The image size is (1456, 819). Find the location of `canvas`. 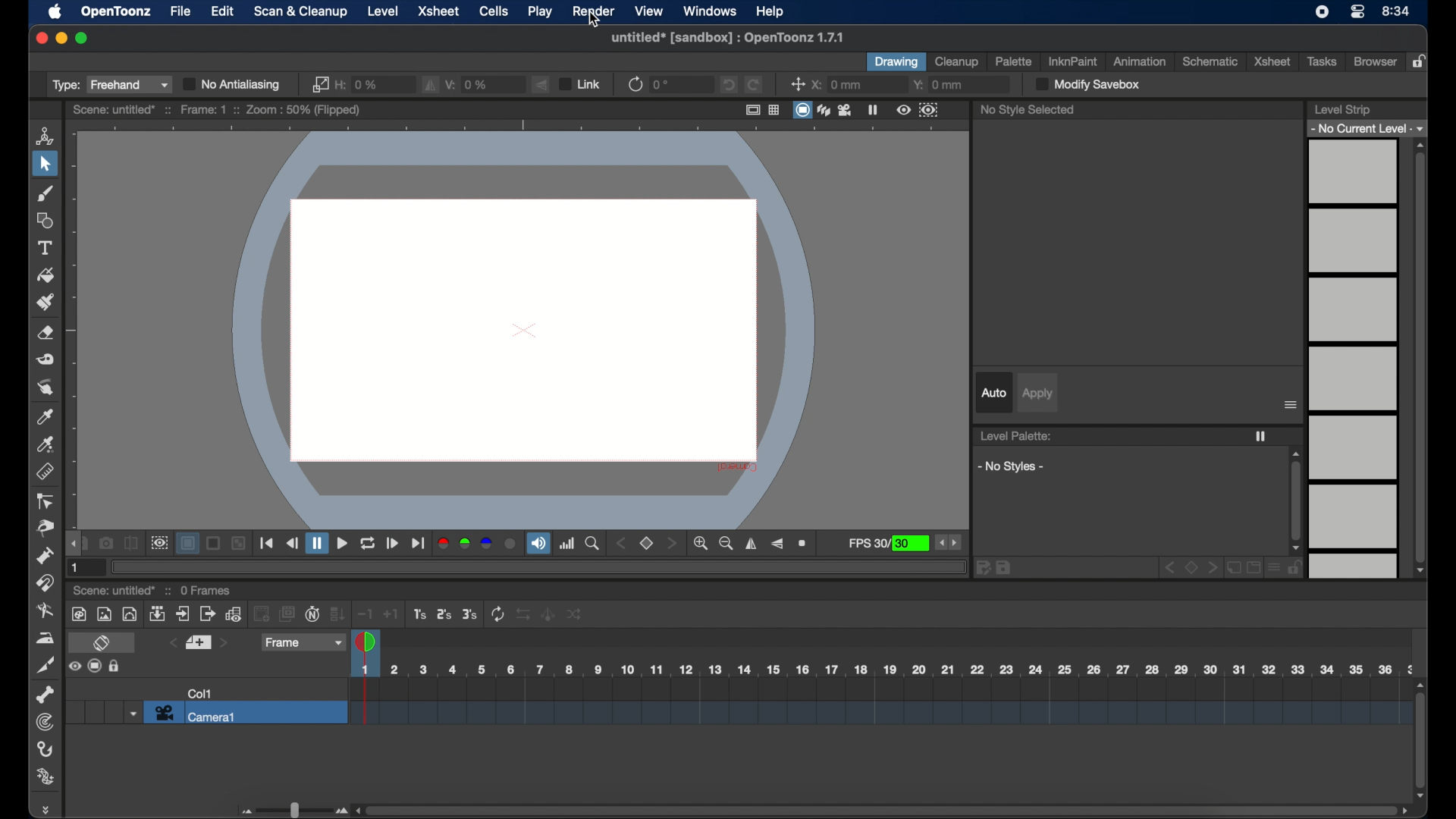

canvas is located at coordinates (516, 326).